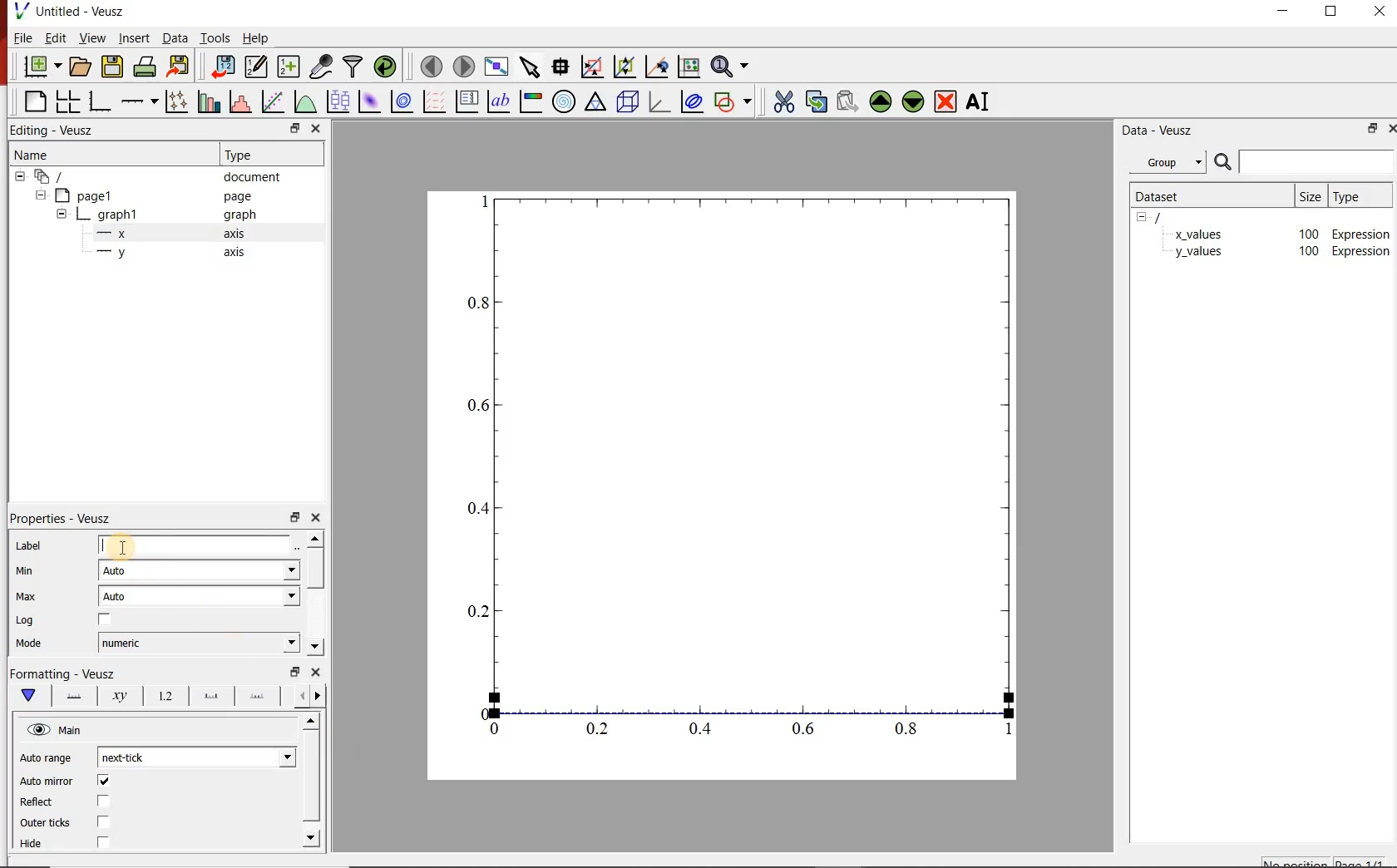 The image size is (1397, 868). Describe the element at coordinates (93, 37) in the screenshot. I see `view` at that location.